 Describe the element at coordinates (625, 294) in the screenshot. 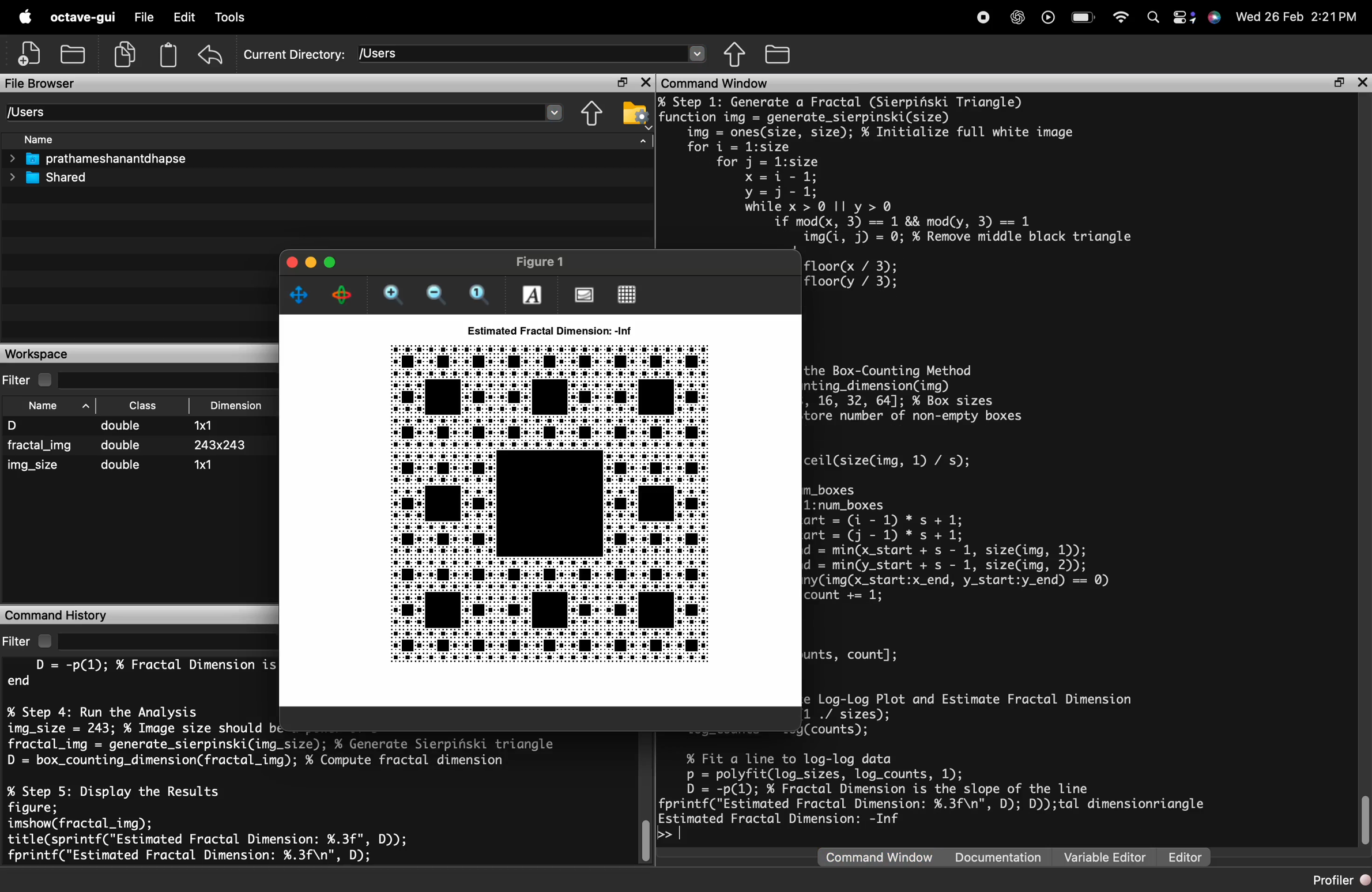

I see `grid` at that location.